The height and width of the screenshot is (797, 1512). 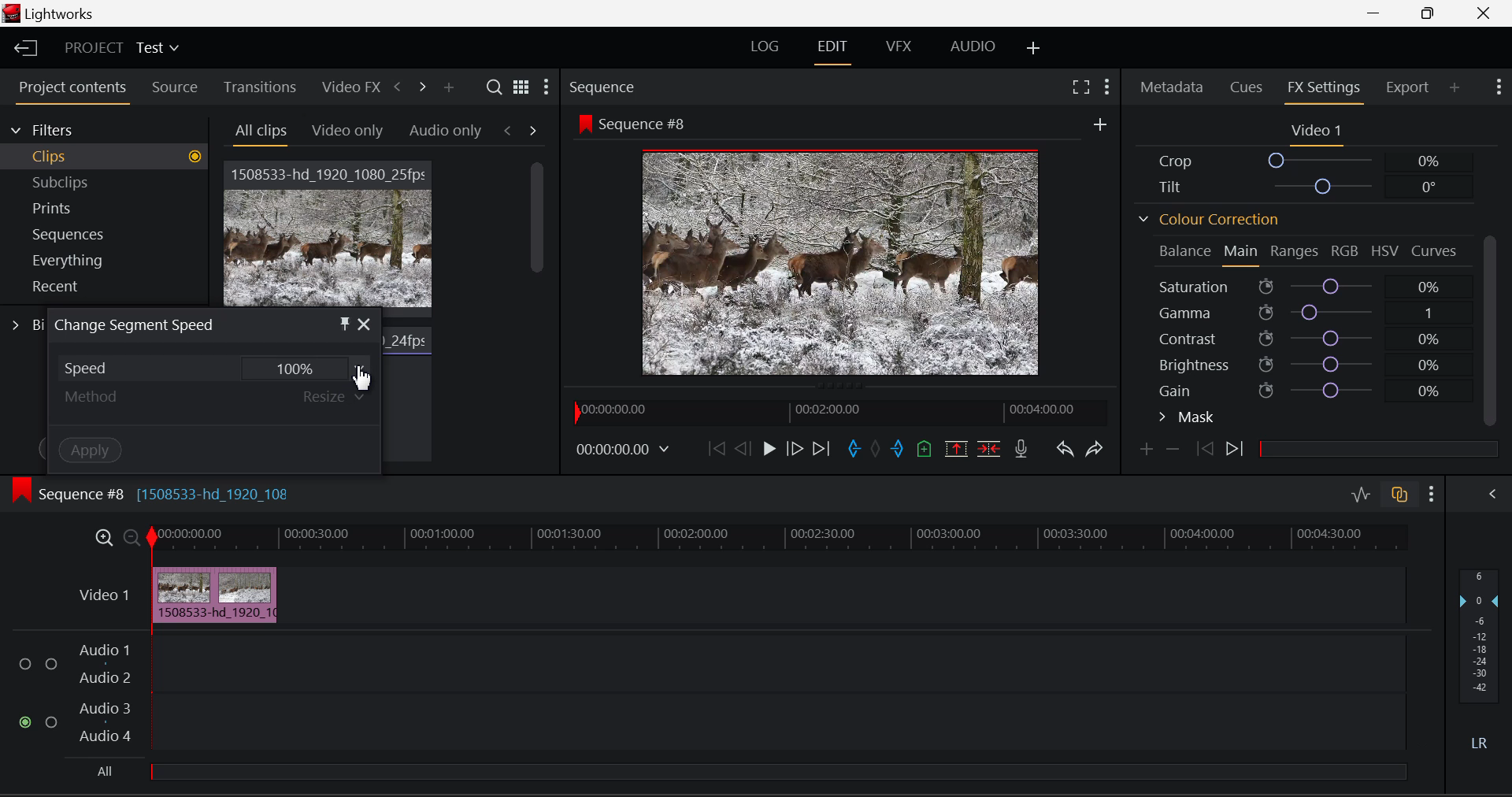 What do you see at coordinates (1033, 46) in the screenshot?
I see `Add Layouts` at bounding box center [1033, 46].